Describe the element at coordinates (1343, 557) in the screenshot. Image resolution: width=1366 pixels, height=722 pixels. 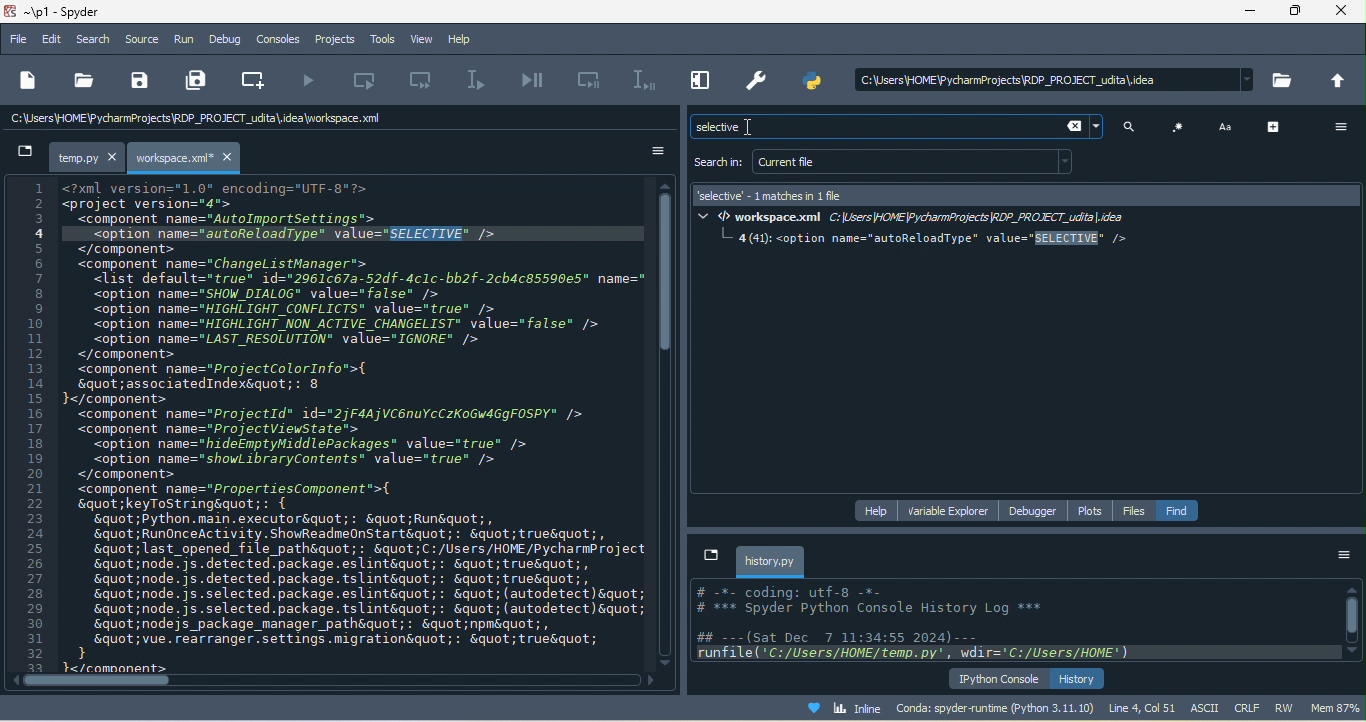
I see `option` at that location.